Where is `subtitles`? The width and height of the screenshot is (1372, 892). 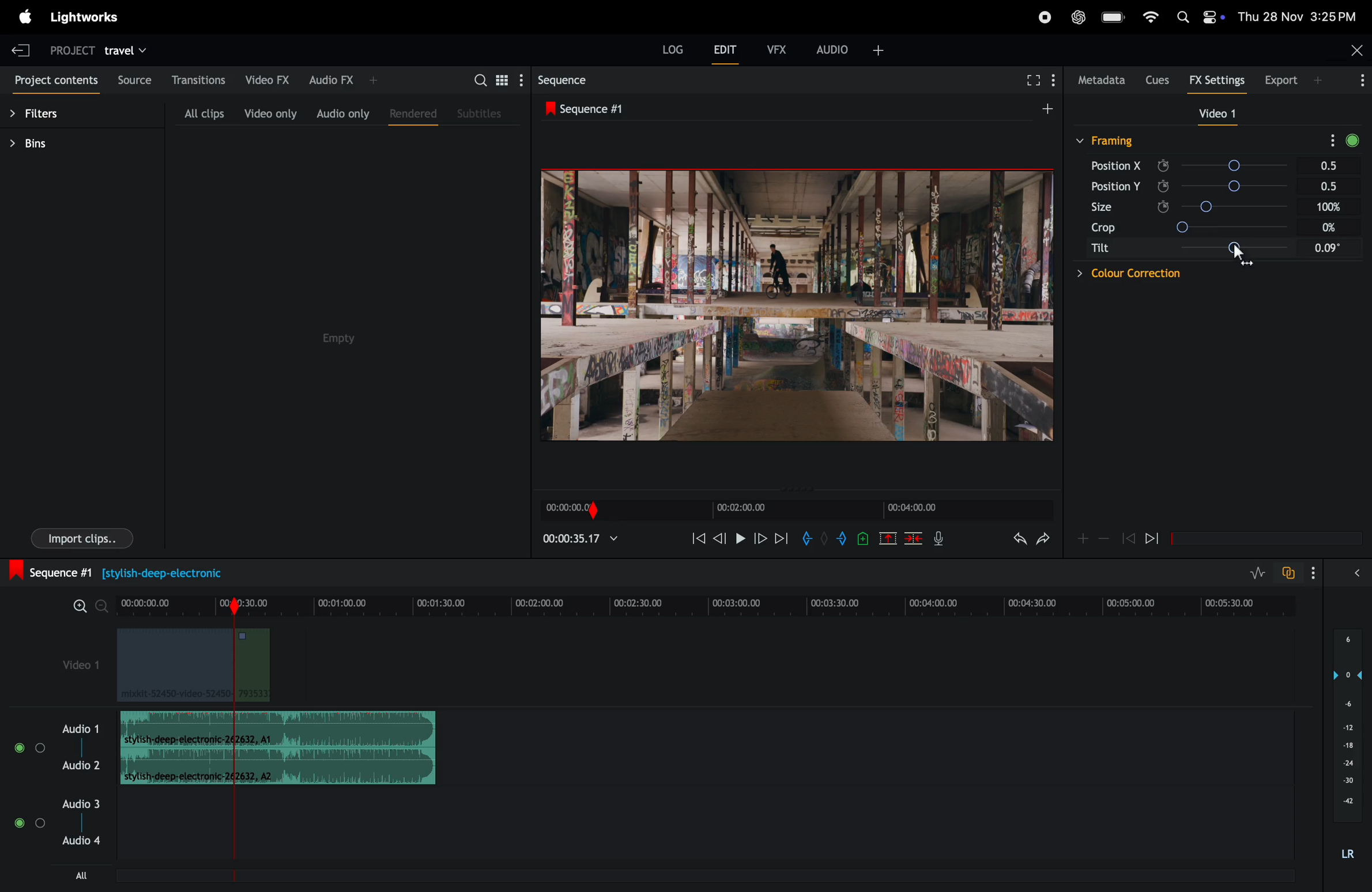
subtitles is located at coordinates (483, 112).